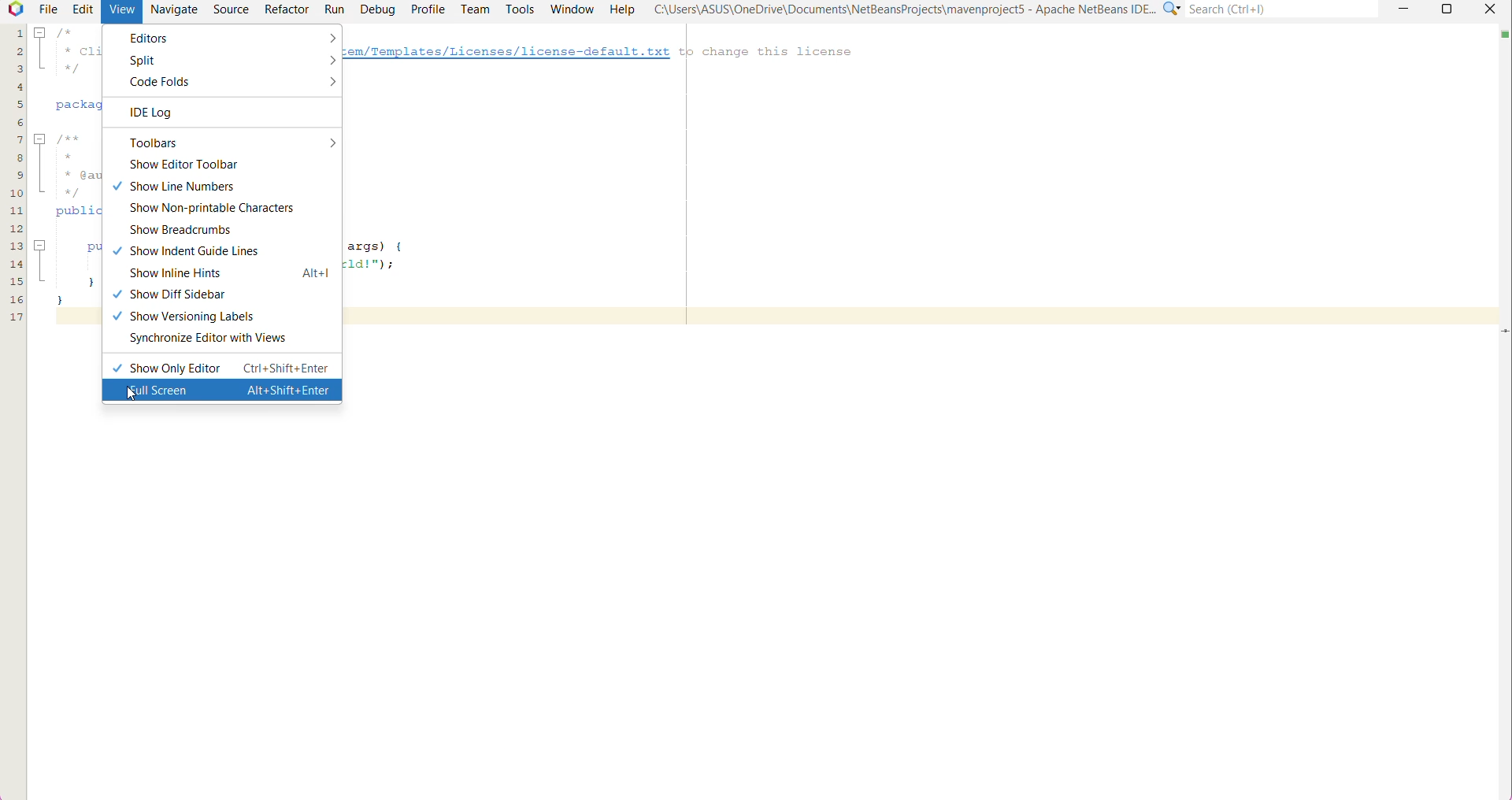 The height and width of the screenshot is (800, 1512). I want to click on Show Editor Toolbar, so click(191, 165).